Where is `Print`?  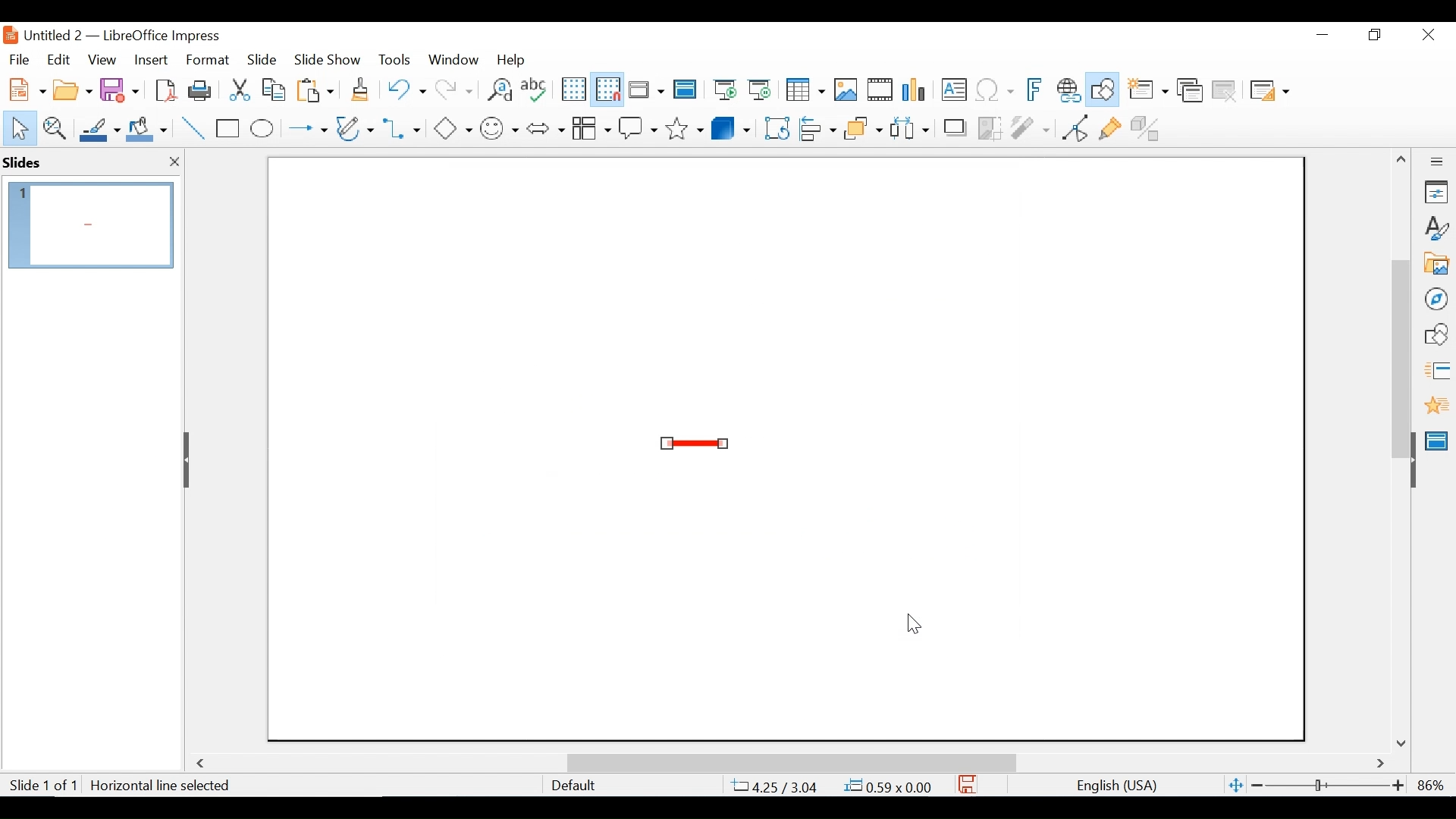
Print is located at coordinates (201, 89).